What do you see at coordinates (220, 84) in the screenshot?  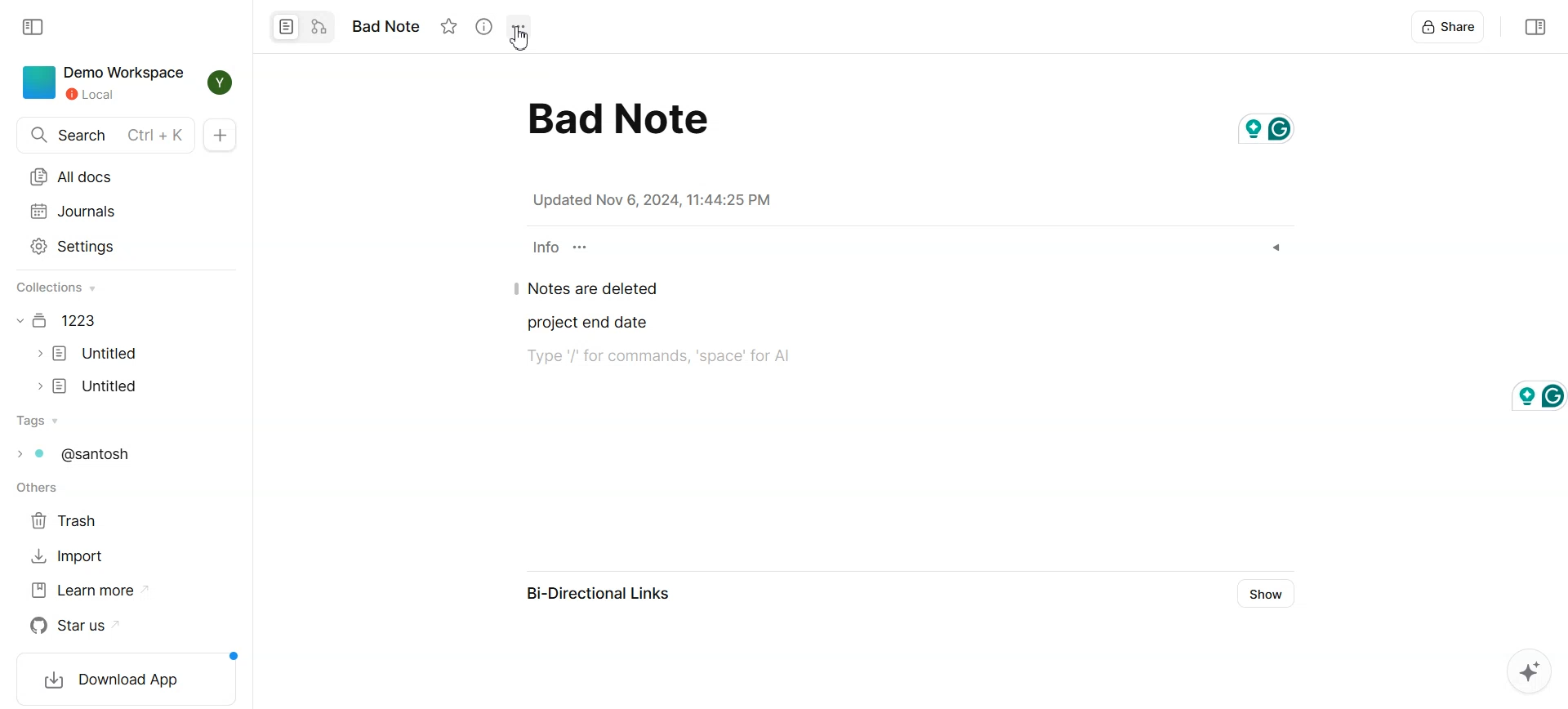 I see `Profile` at bounding box center [220, 84].